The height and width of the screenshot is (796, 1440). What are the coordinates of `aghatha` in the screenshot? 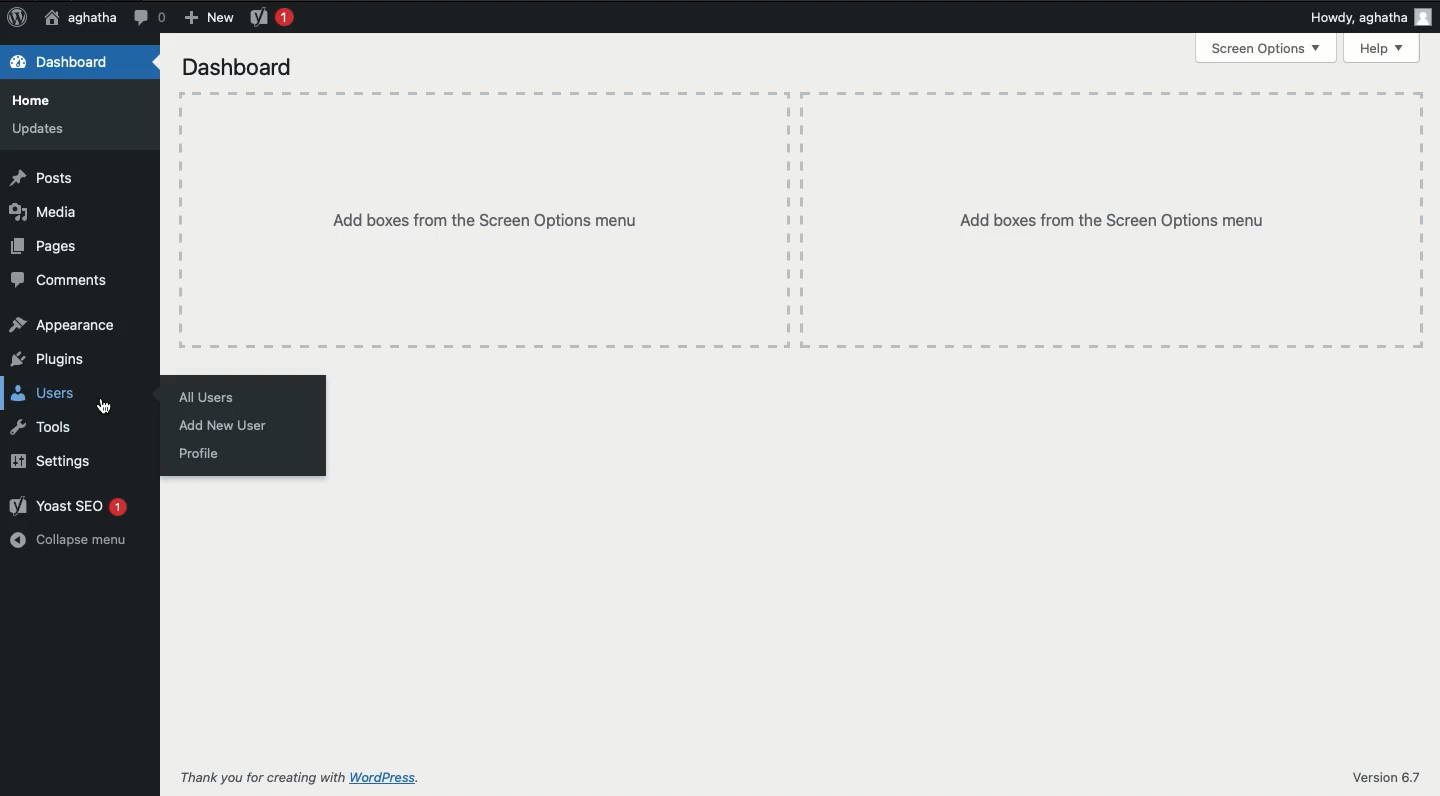 It's located at (77, 17).